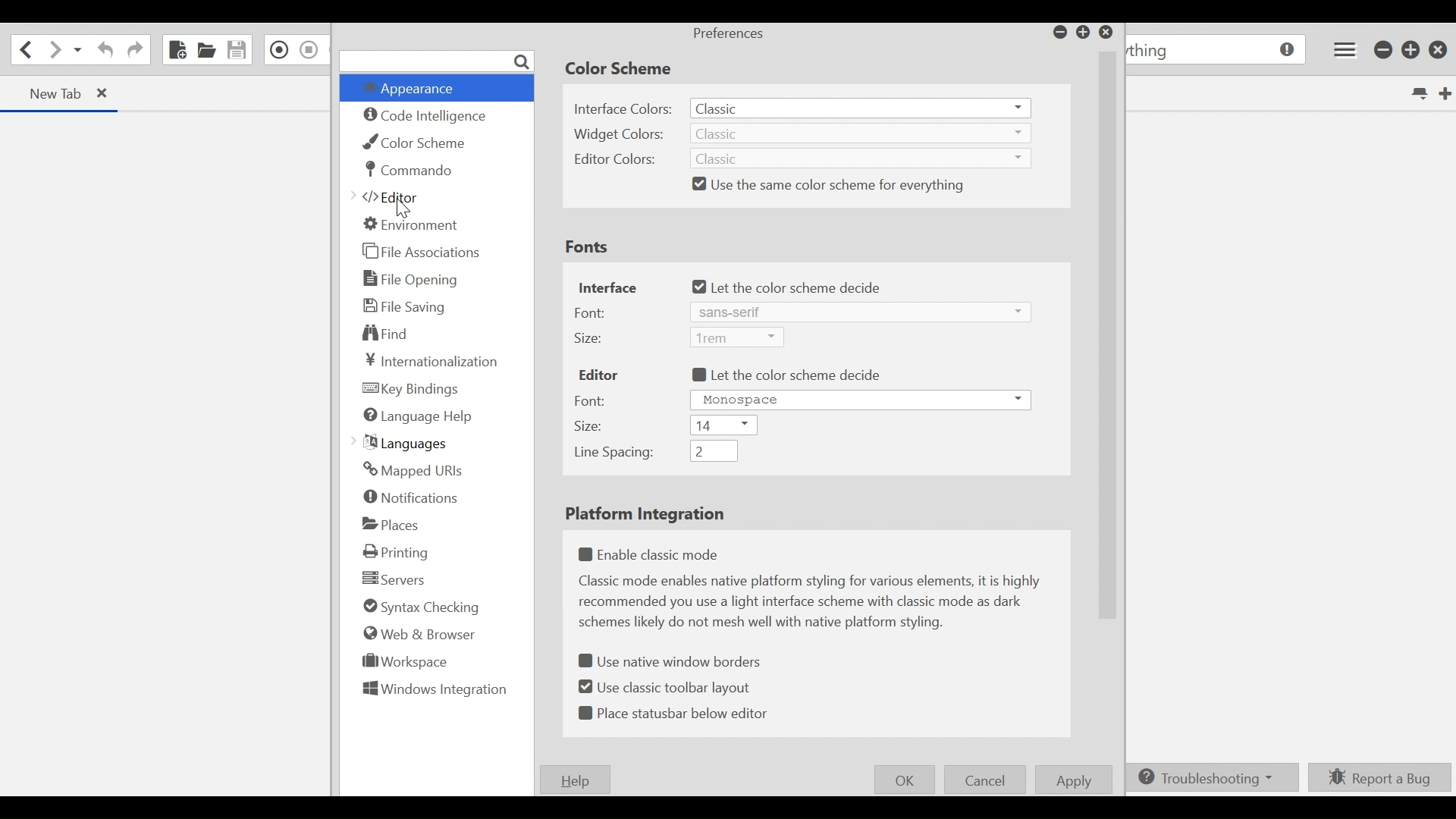  I want to click on Workspace, so click(407, 663).